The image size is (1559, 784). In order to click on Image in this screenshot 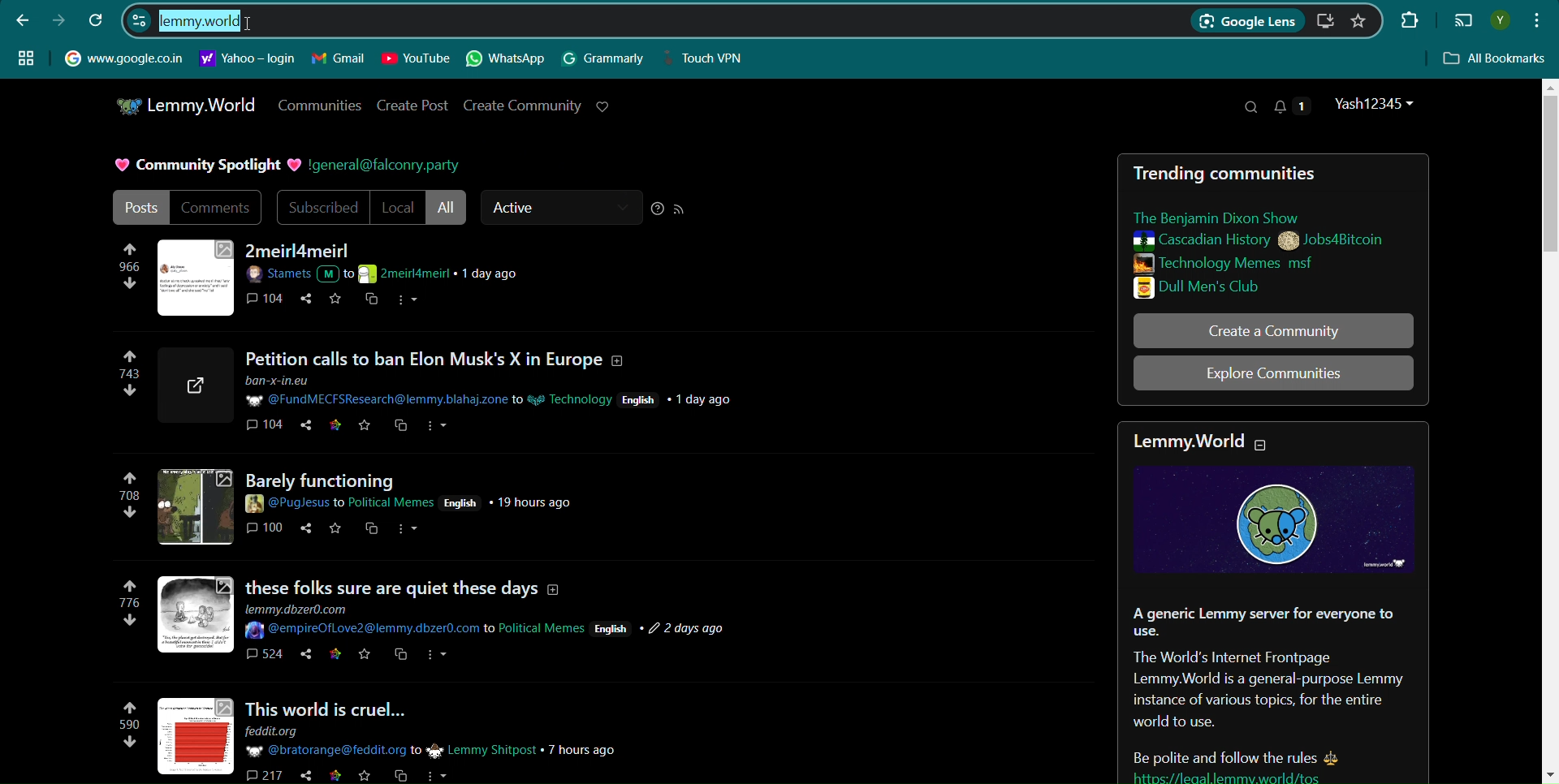, I will do `click(196, 276)`.